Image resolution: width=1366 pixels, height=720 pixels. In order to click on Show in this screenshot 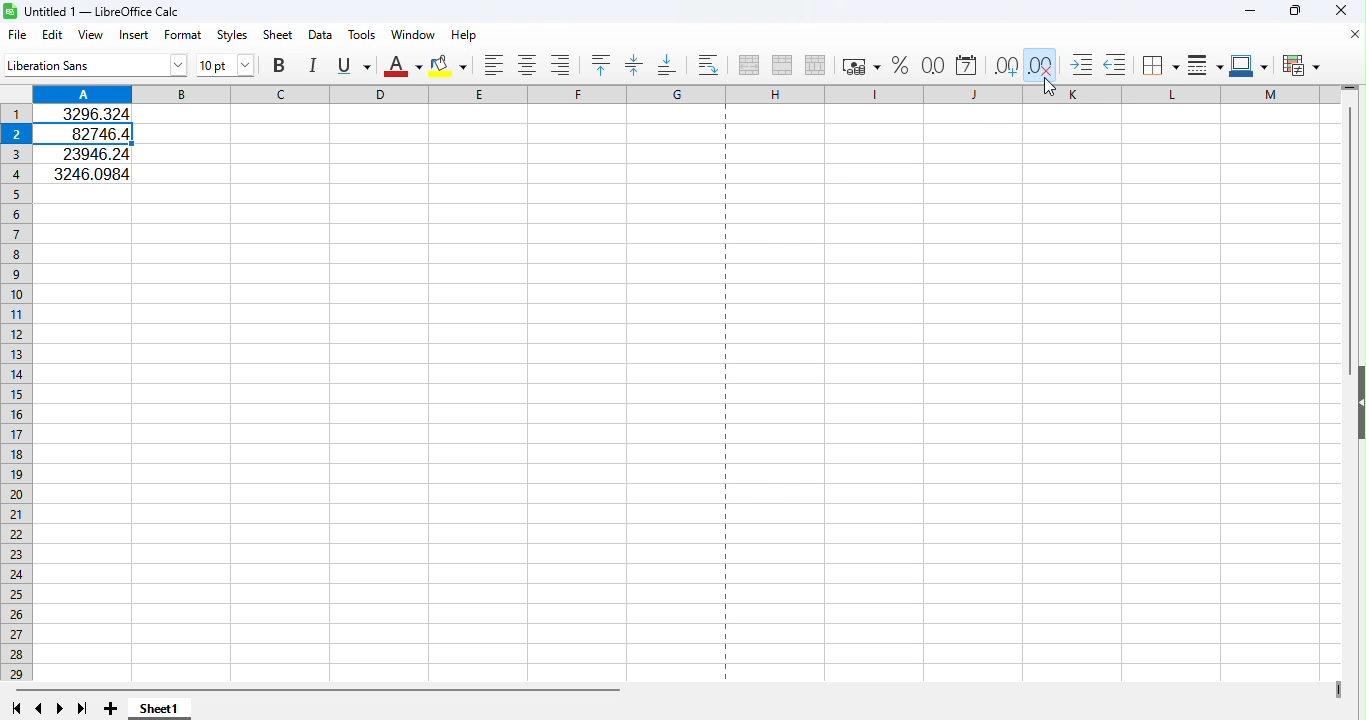, I will do `click(1358, 406)`.